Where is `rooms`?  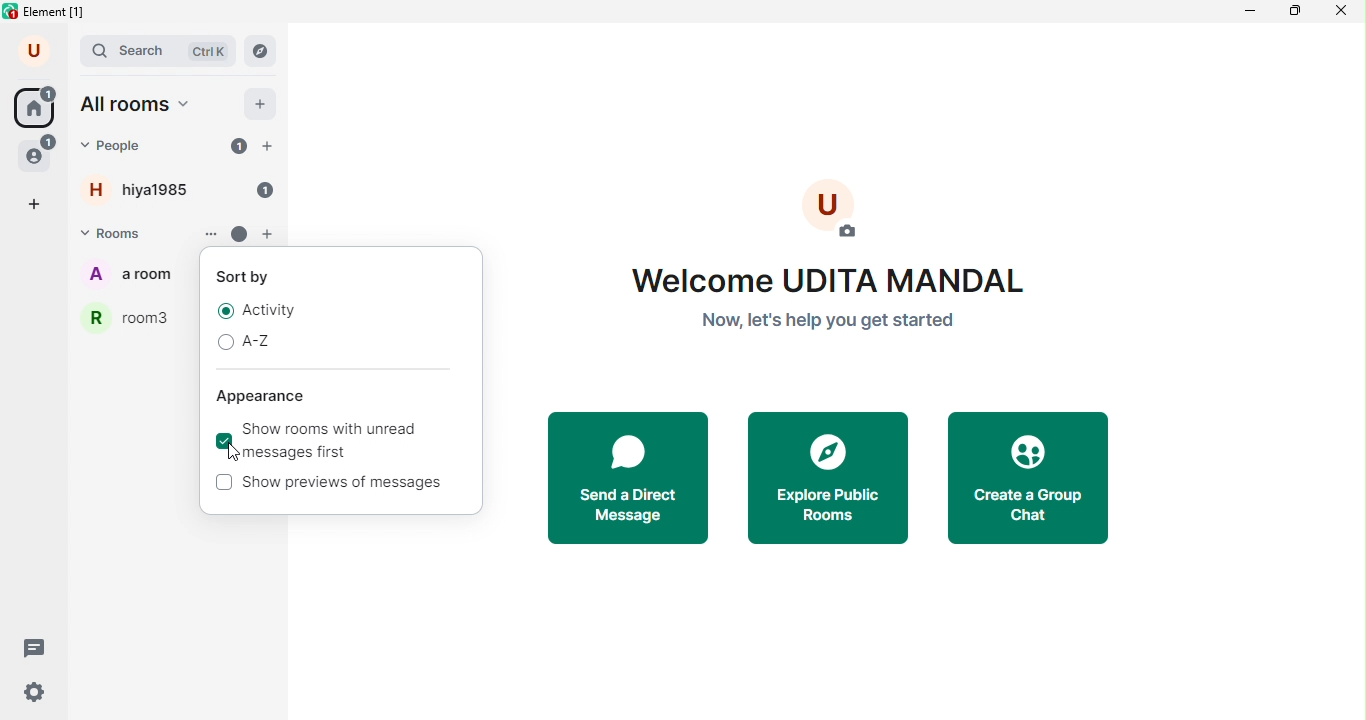 rooms is located at coordinates (120, 232).